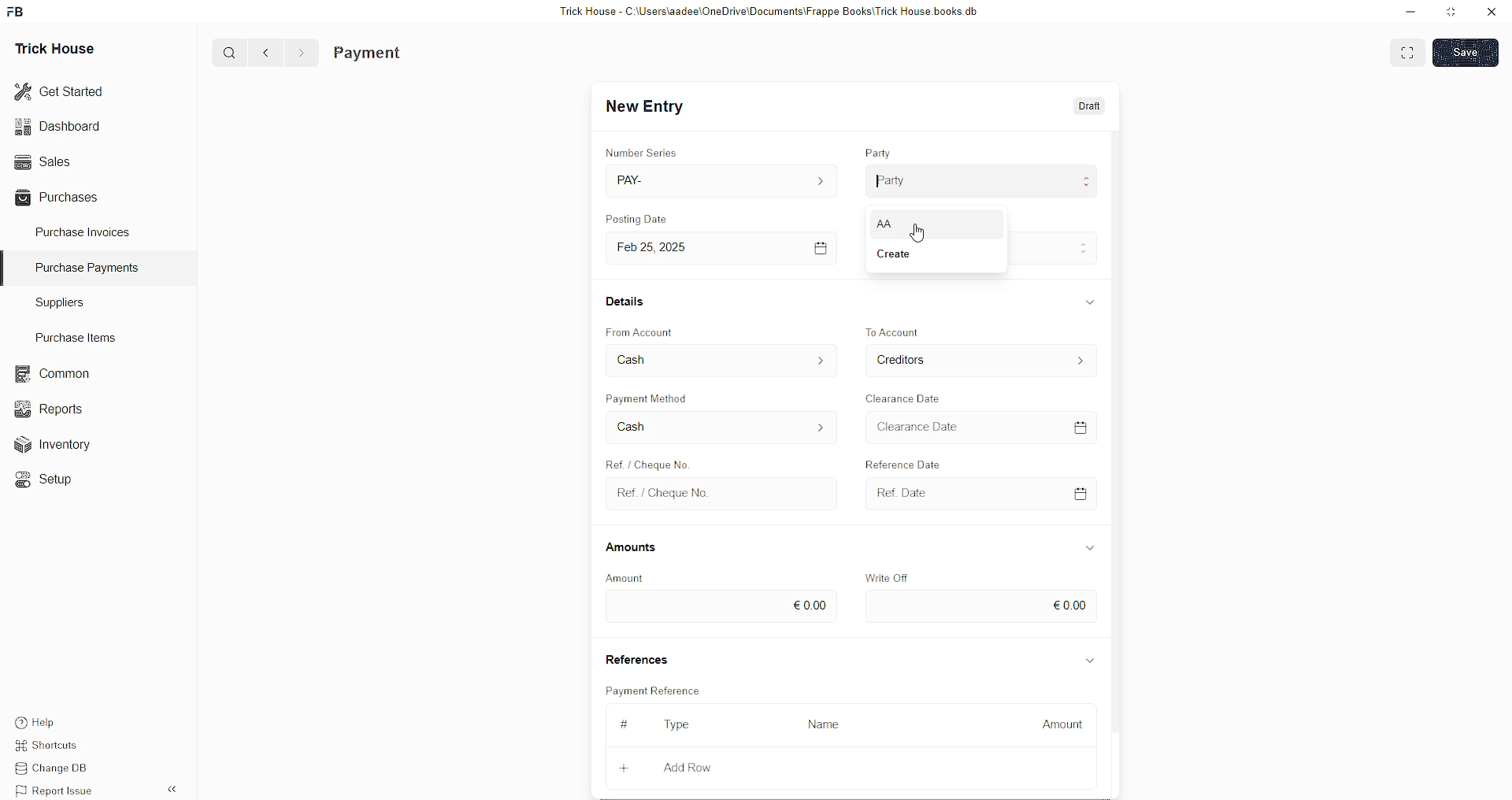 The height and width of the screenshot is (800, 1512). Describe the element at coordinates (224, 51) in the screenshot. I see `Q` at that location.